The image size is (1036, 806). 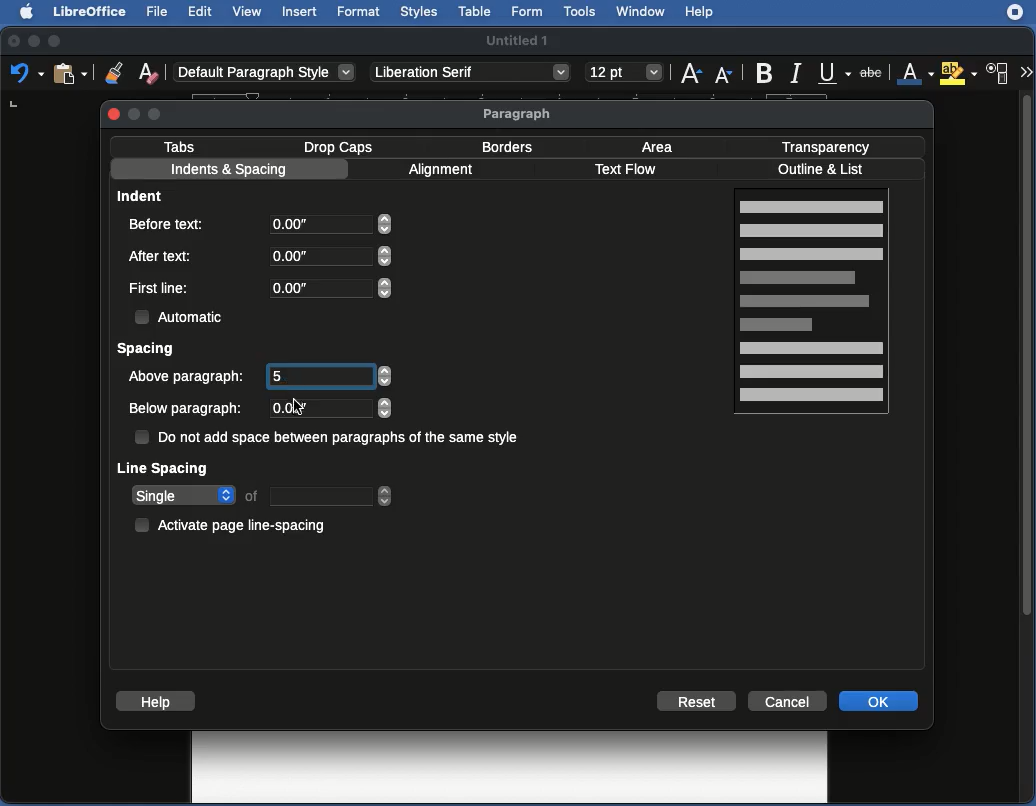 I want to click on Undo, so click(x=26, y=74).